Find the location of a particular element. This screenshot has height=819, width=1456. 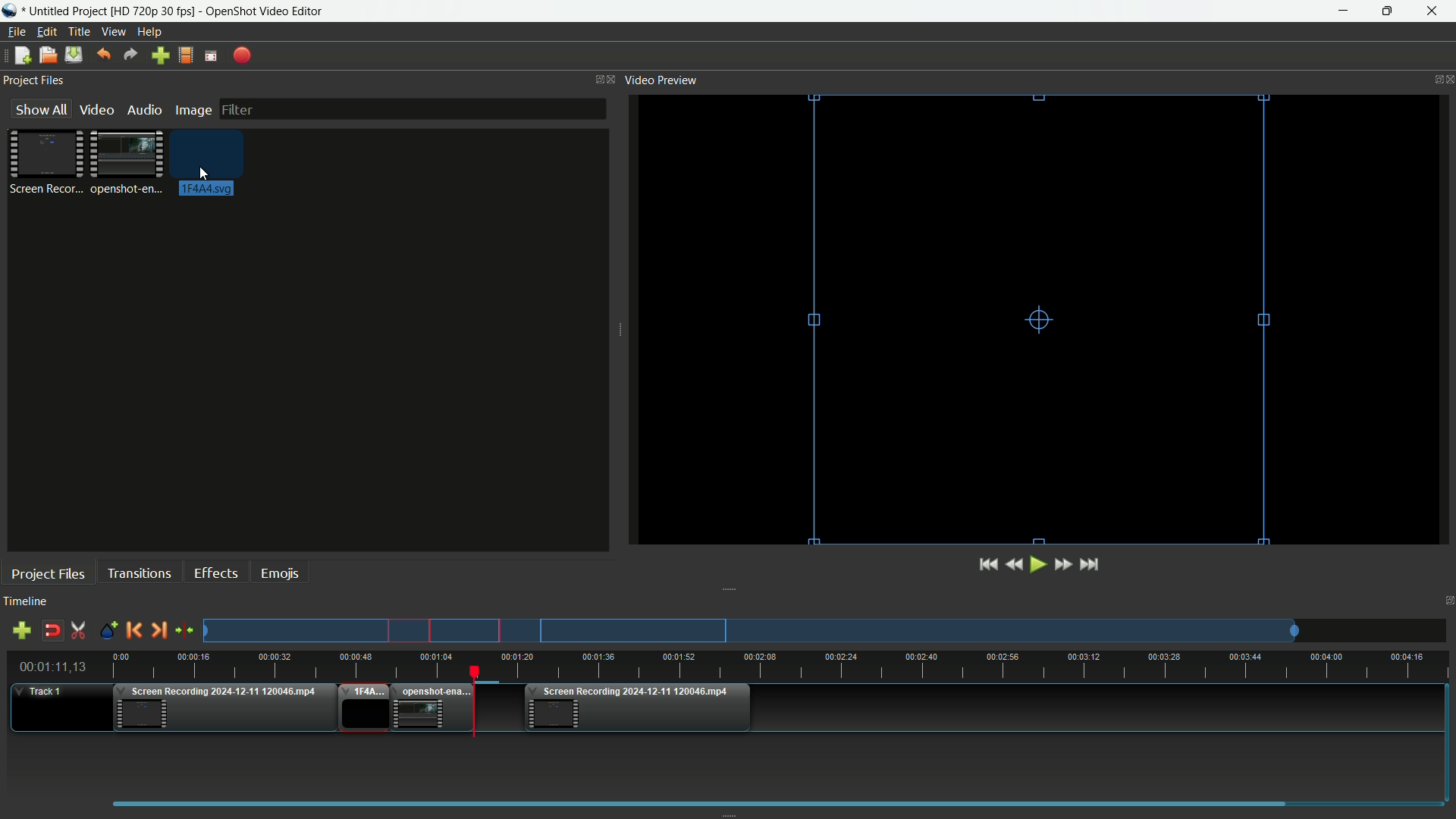

Next marker is located at coordinates (157, 631).